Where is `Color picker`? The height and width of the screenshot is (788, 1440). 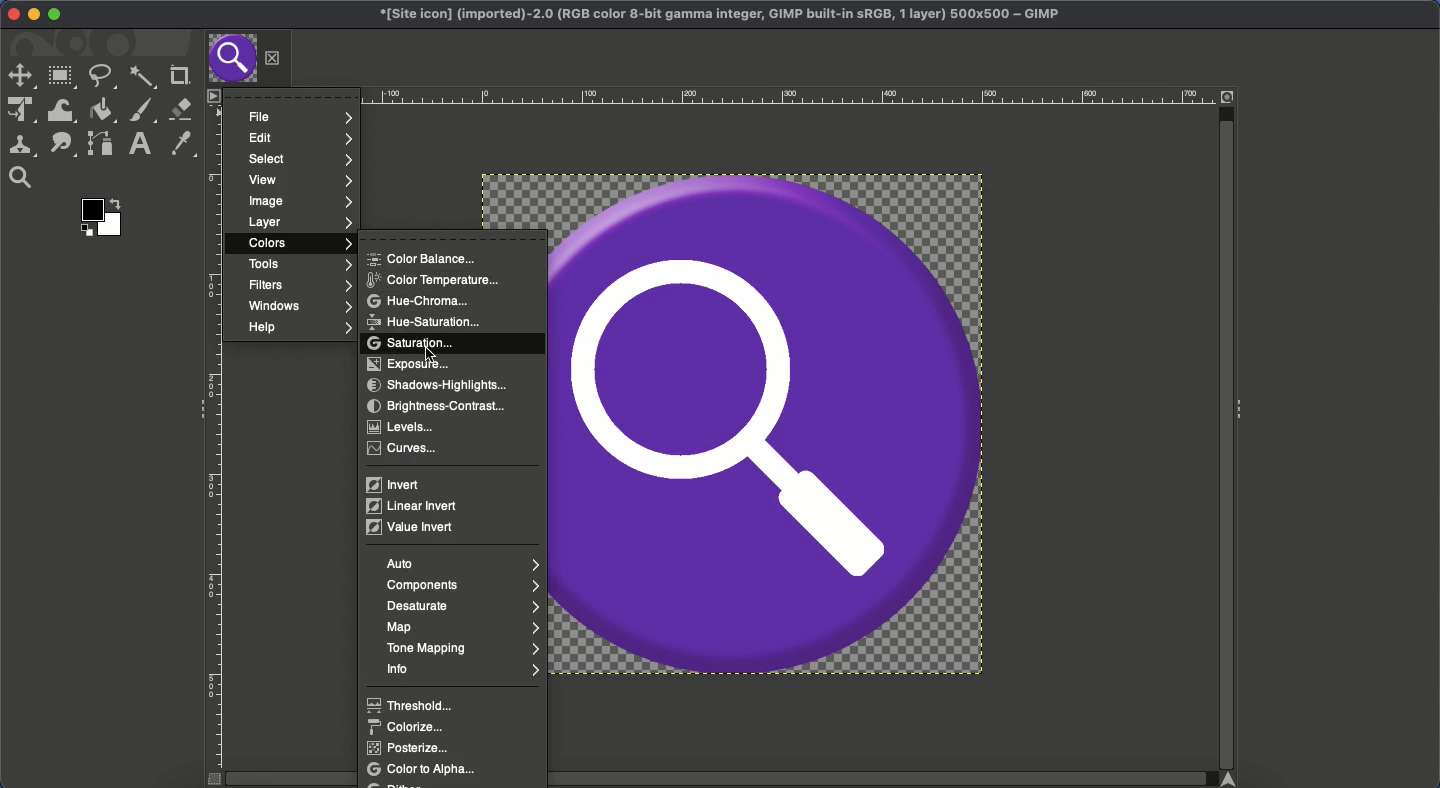 Color picker is located at coordinates (180, 144).